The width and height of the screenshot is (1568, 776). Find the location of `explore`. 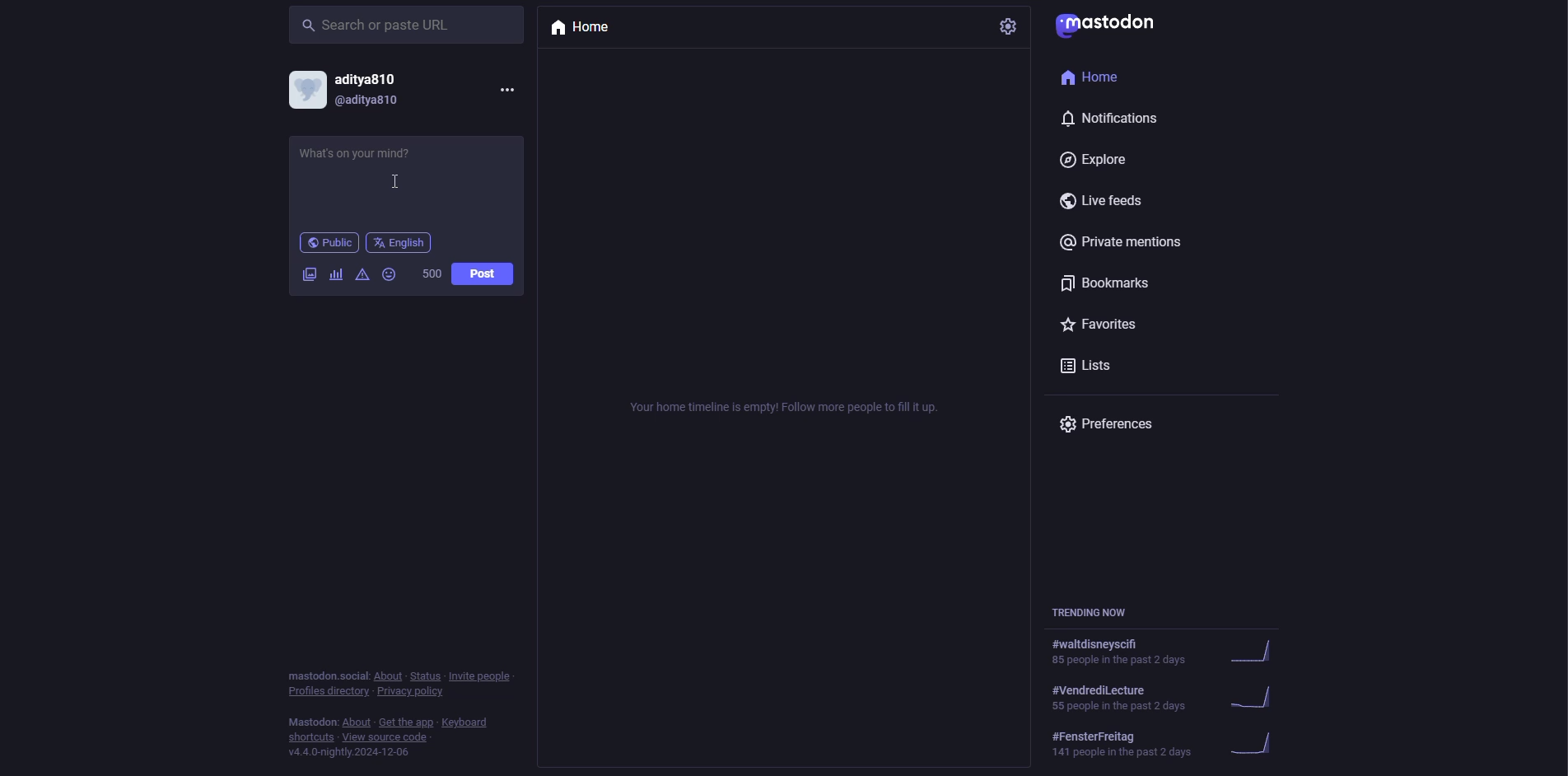

explore is located at coordinates (1094, 160).